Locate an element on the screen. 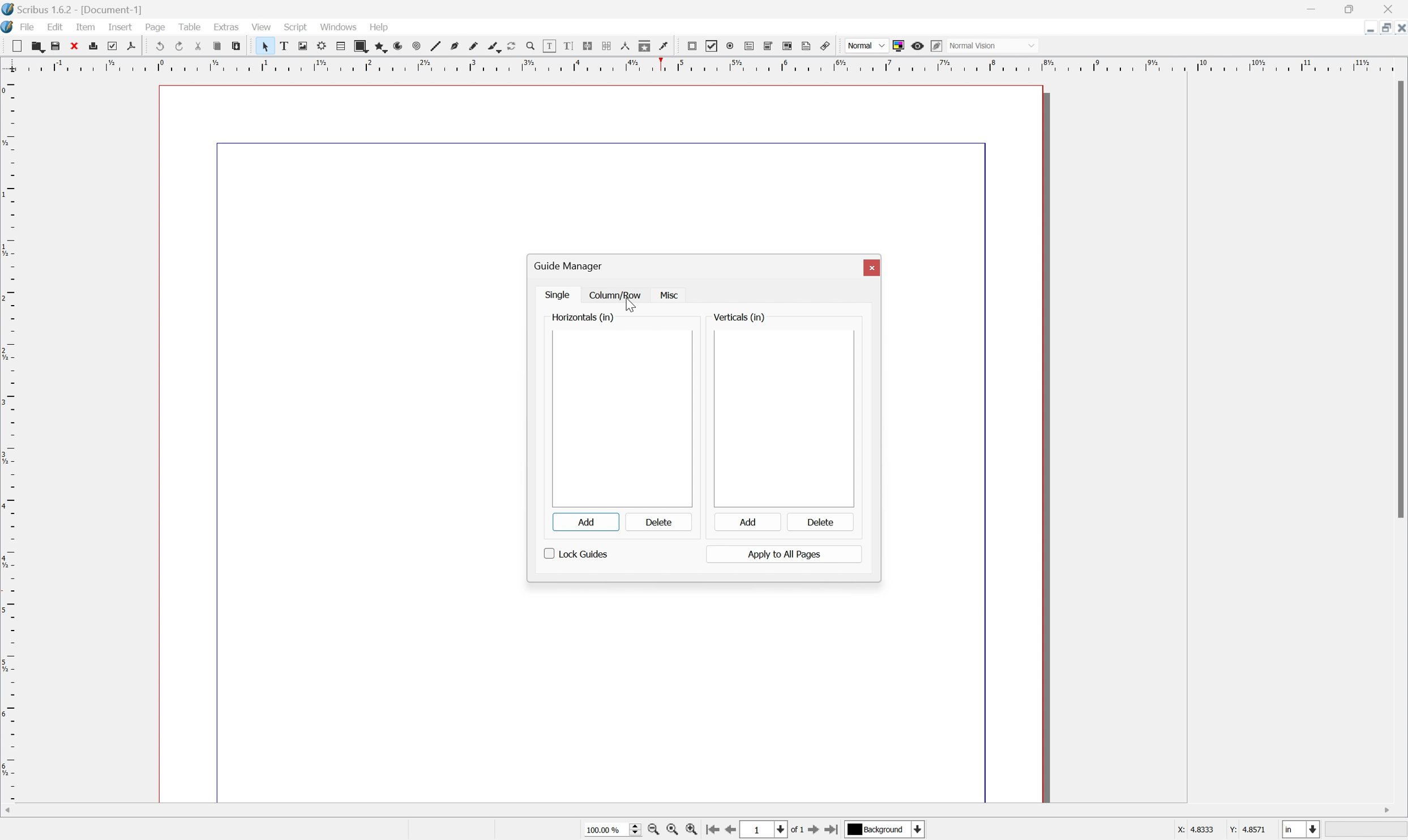  ruler is located at coordinates (9, 438).